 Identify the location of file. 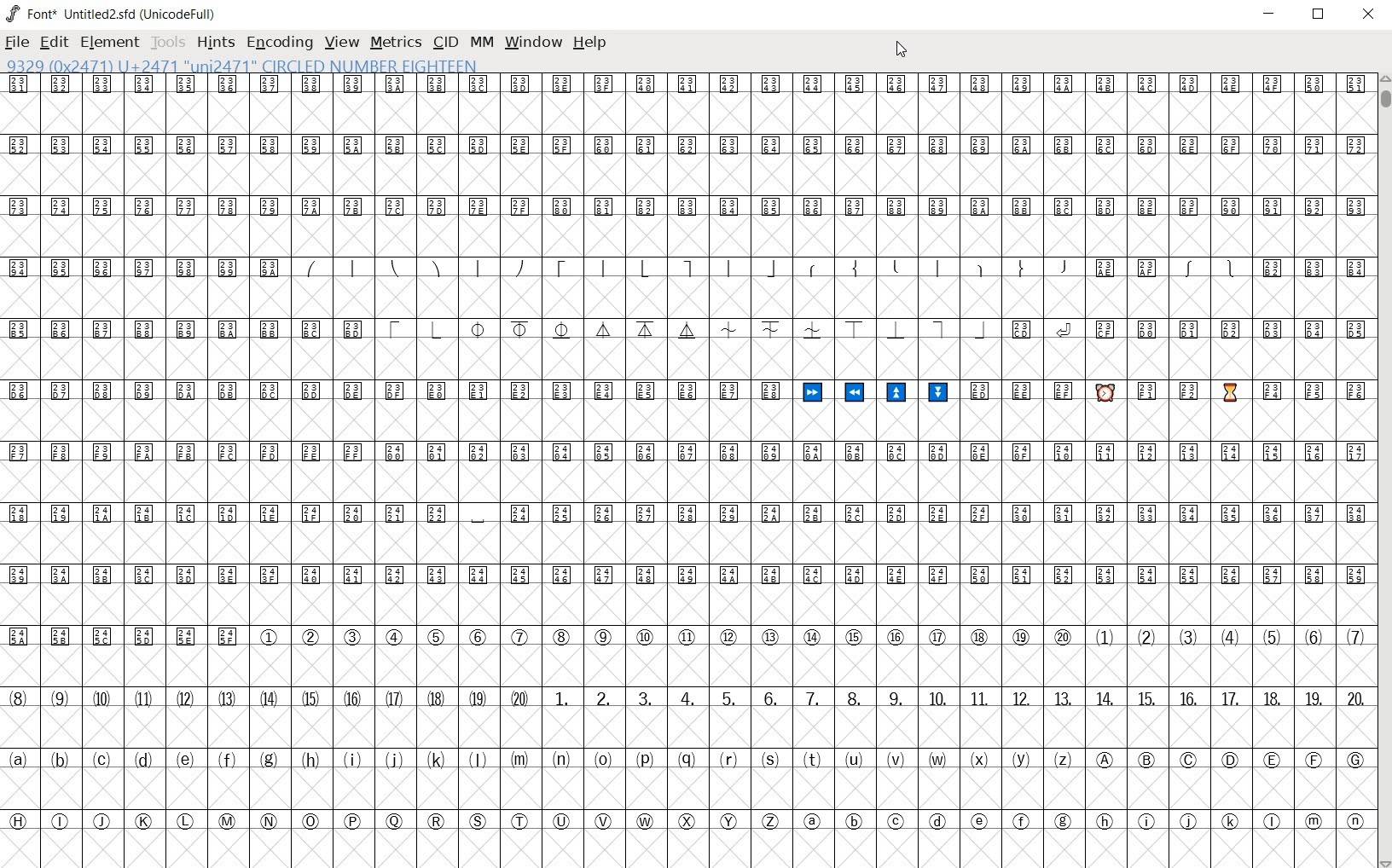
(17, 44).